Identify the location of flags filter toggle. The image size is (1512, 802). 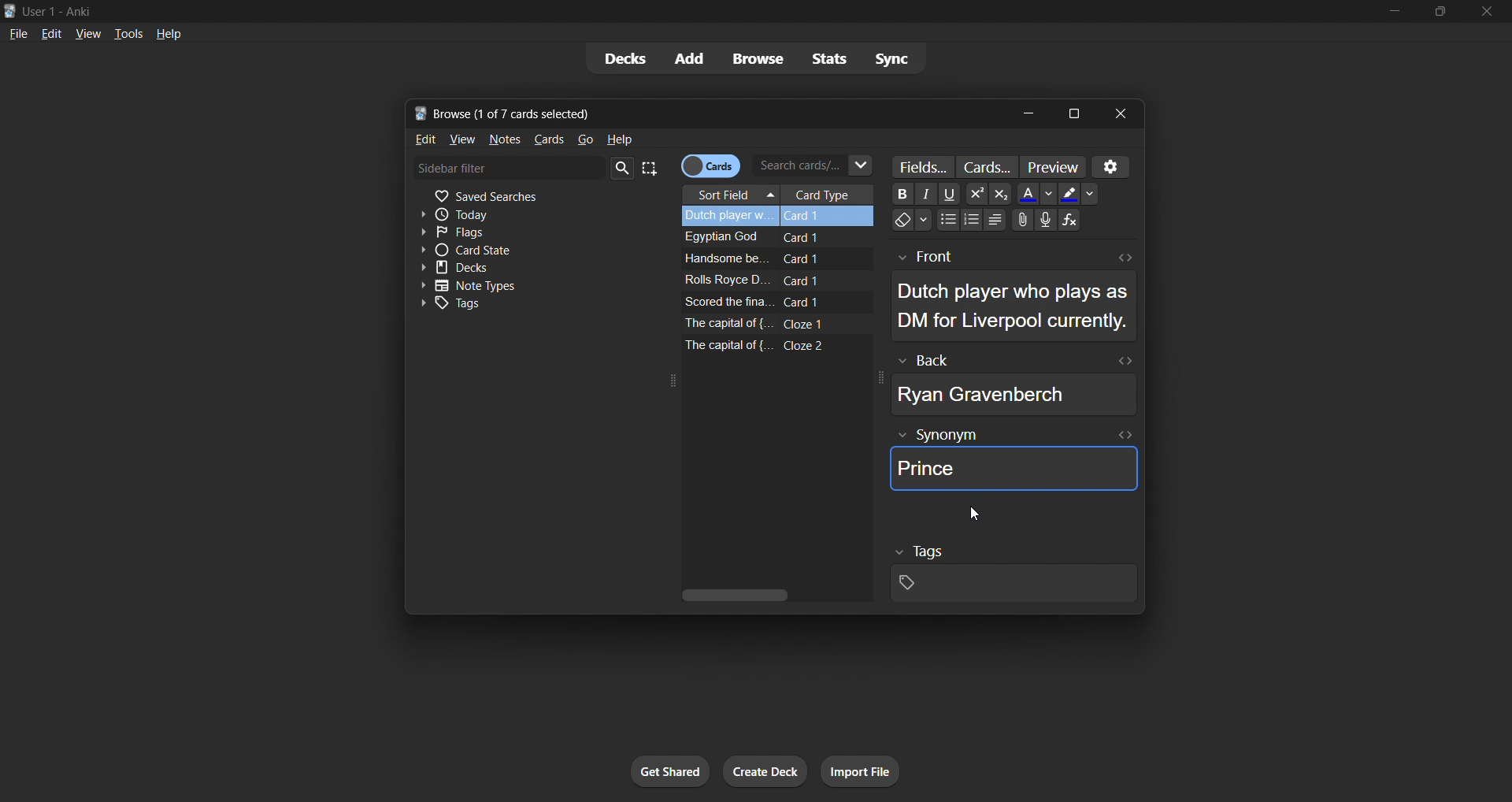
(502, 232).